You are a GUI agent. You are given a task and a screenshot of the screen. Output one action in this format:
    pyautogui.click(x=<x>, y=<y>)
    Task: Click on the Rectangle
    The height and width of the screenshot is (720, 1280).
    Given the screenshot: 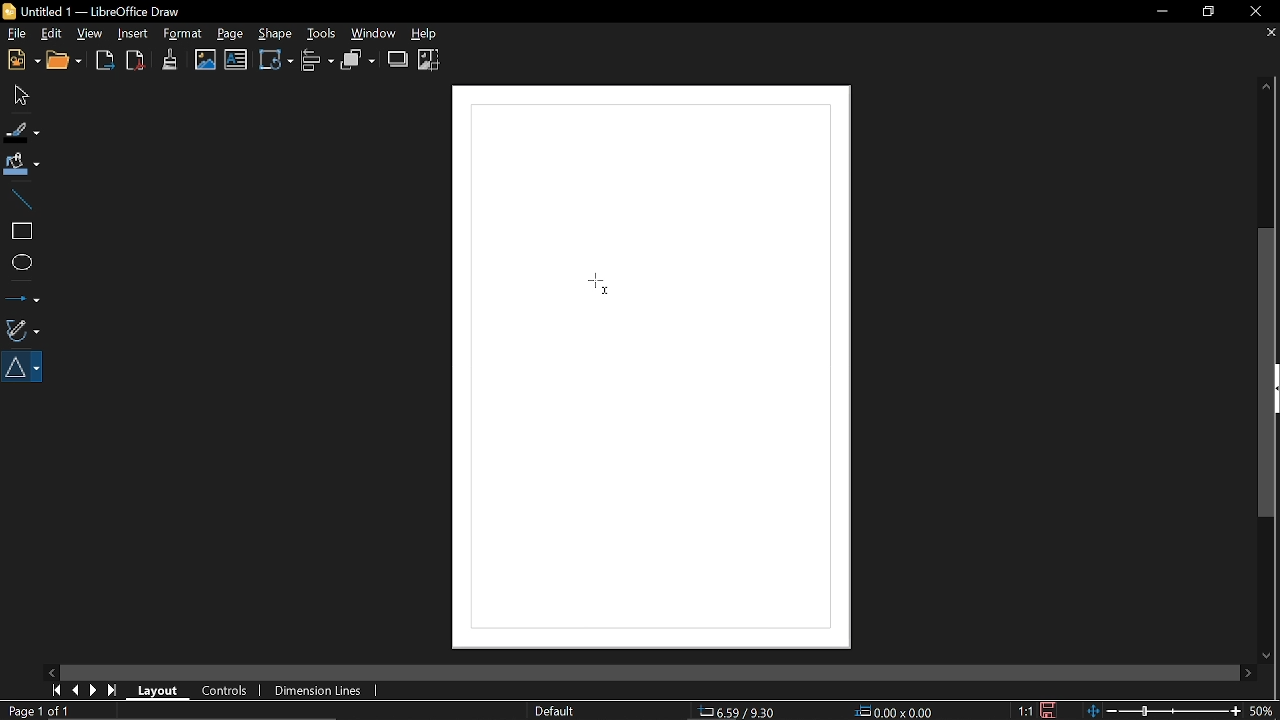 What is the action you would take?
    pyautogui.click(x=20, y=231)
    